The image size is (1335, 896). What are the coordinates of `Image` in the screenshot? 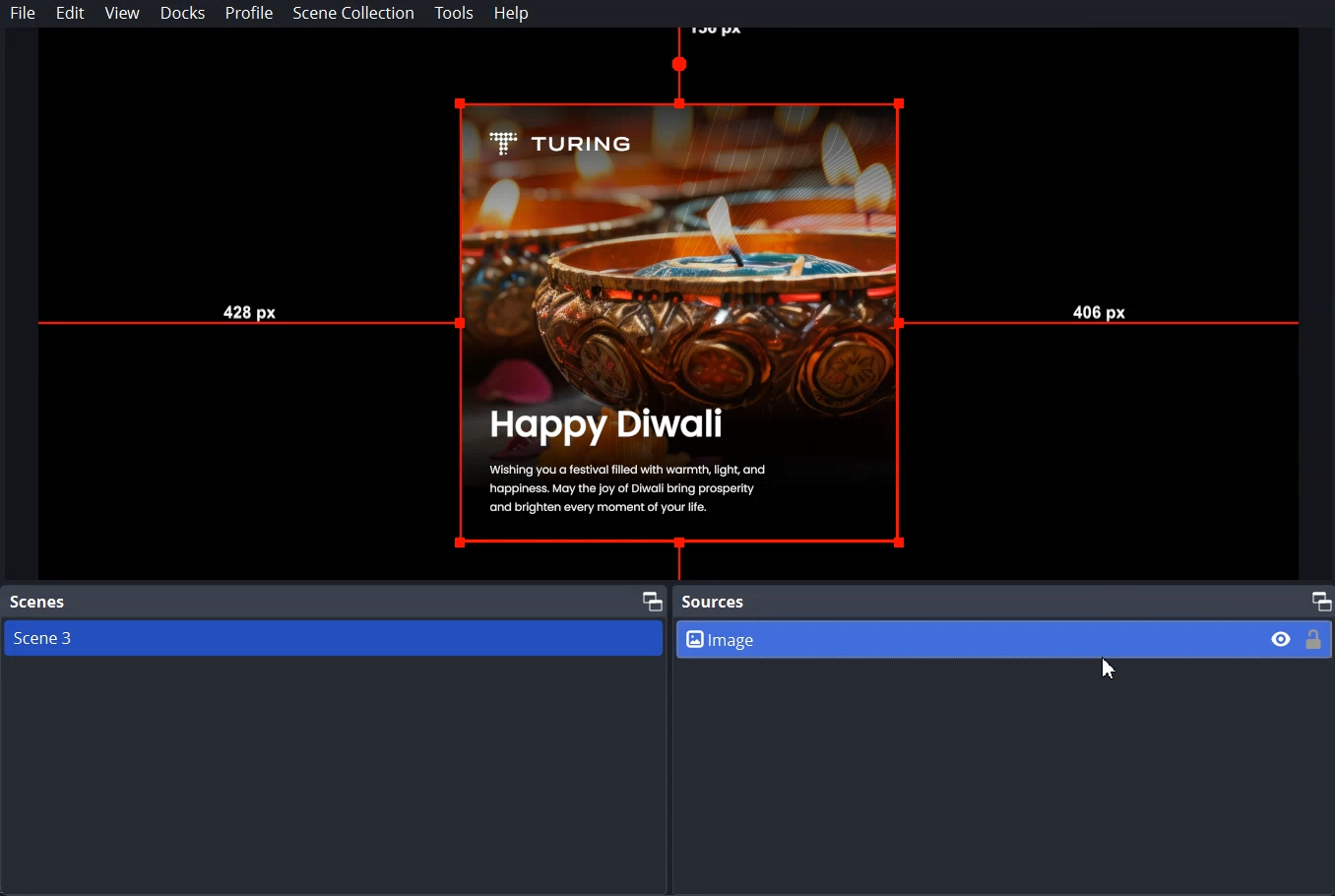 It's located at (1005, 638).